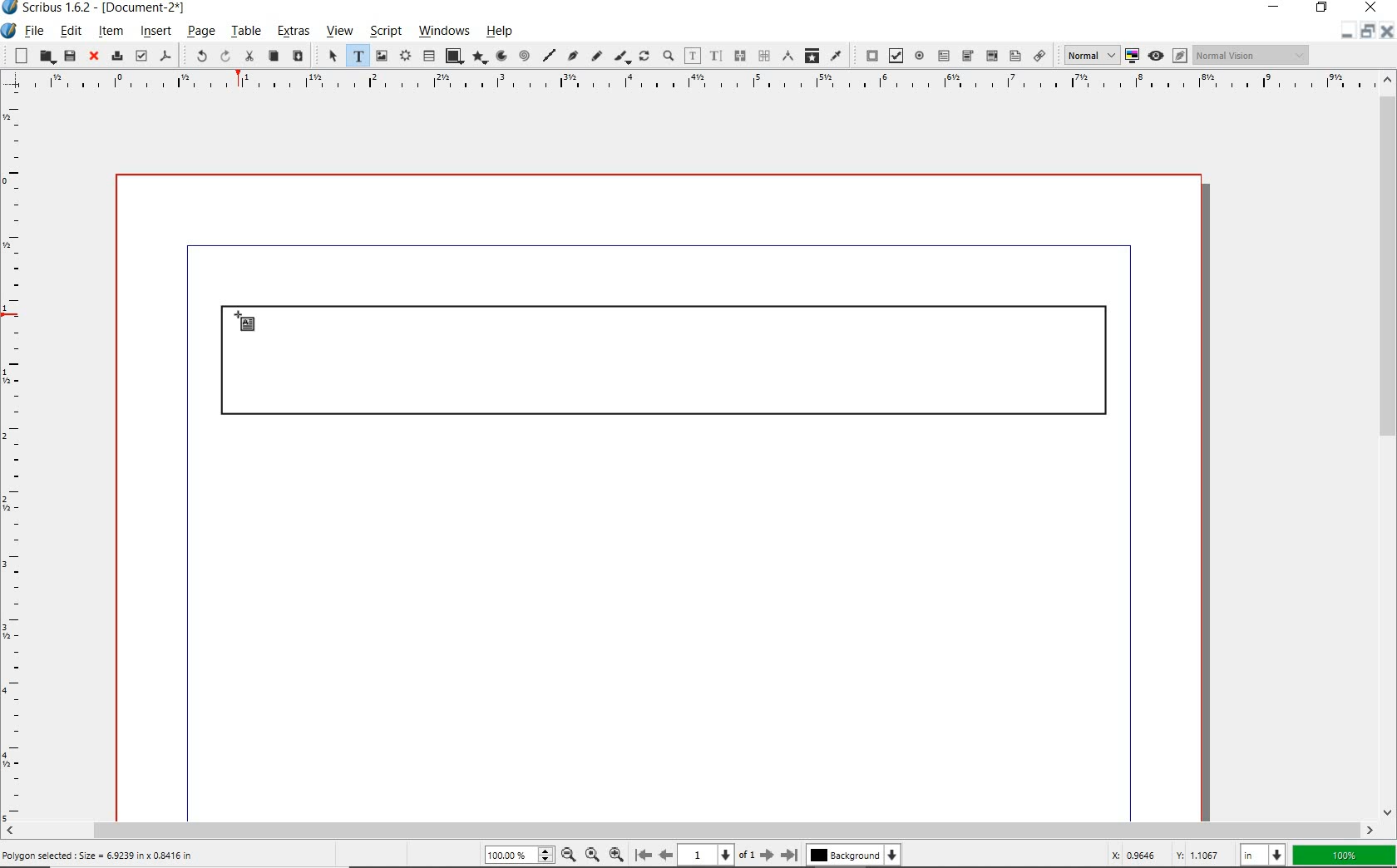 The image size is (1397, 868). I want to click on table, so click(427, 55).